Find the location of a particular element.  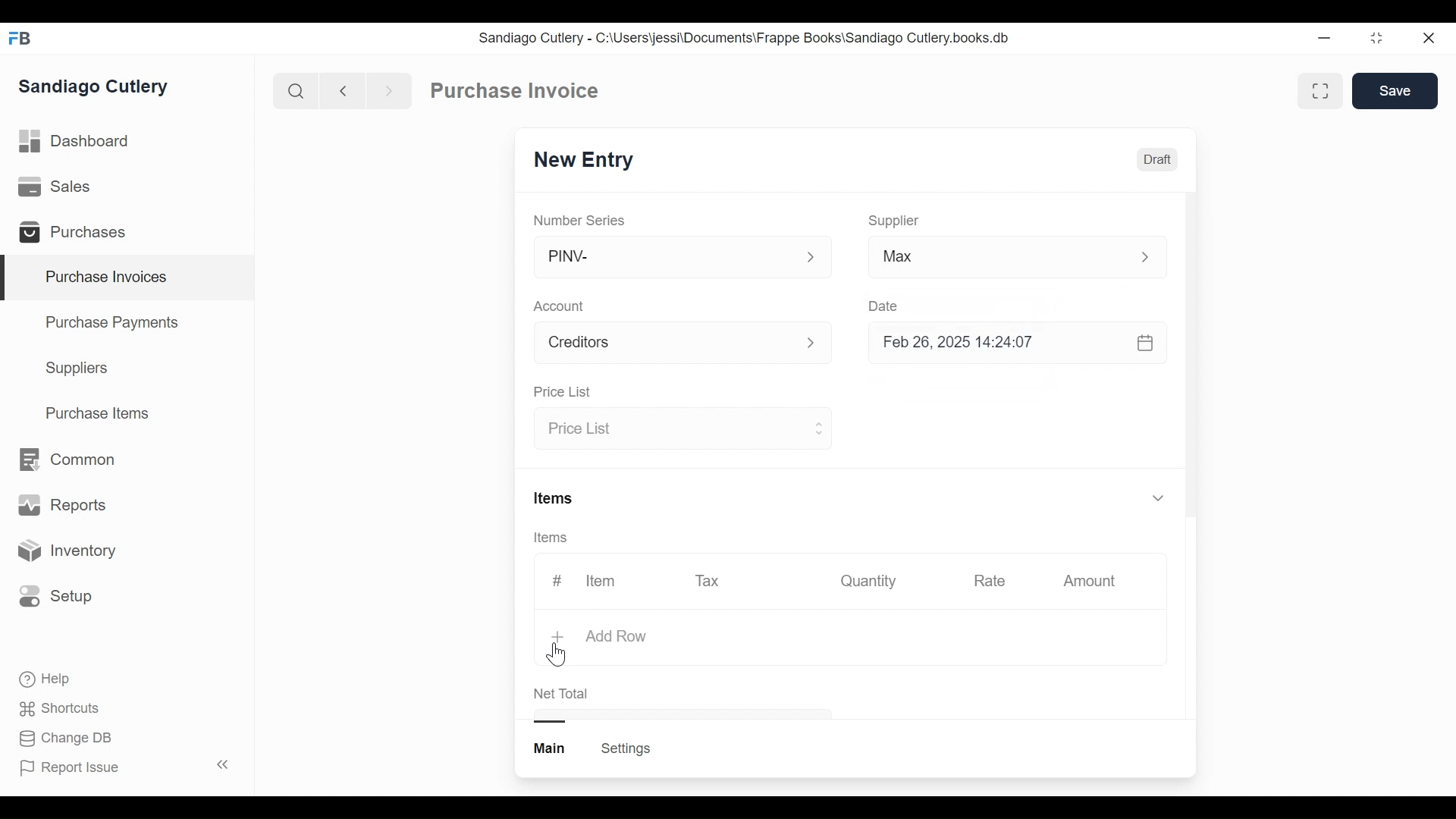

Common is located at coordinates (65, 460).